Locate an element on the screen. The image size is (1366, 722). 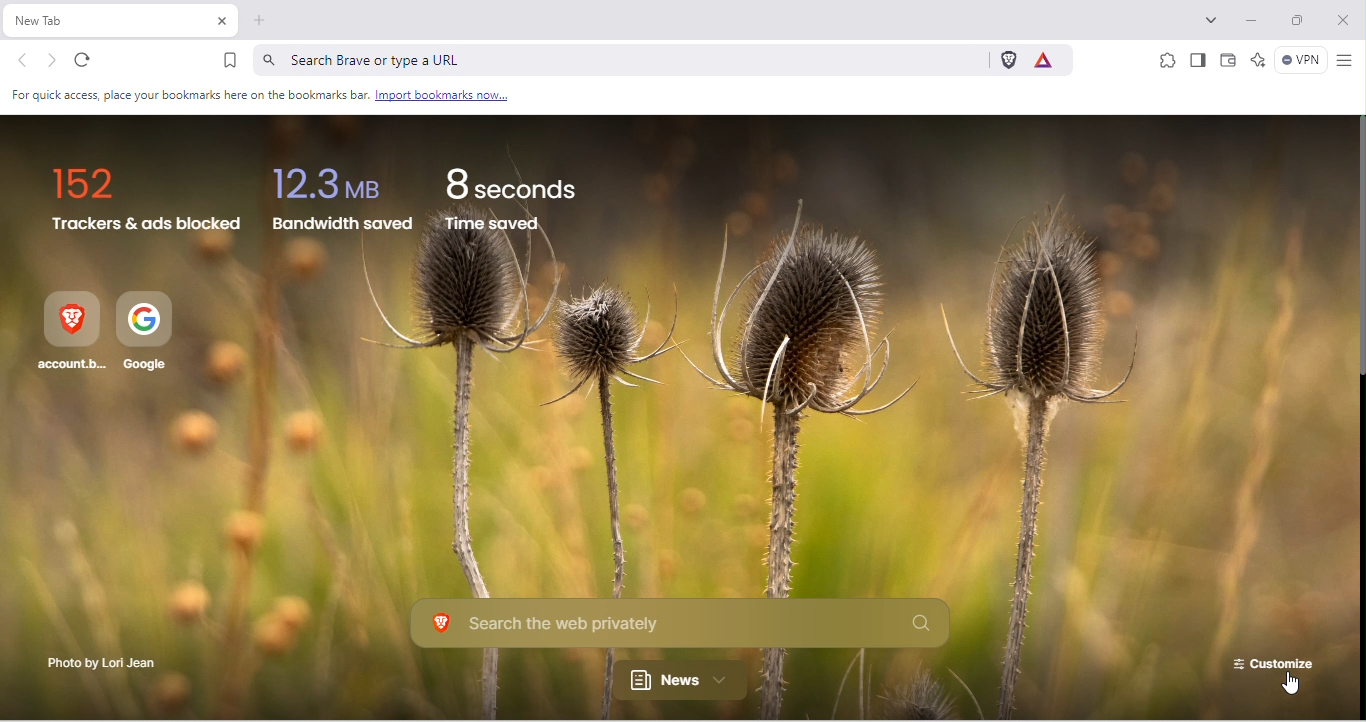
12.3 MB Bandwidth saved is located at coordinates (340, 207).